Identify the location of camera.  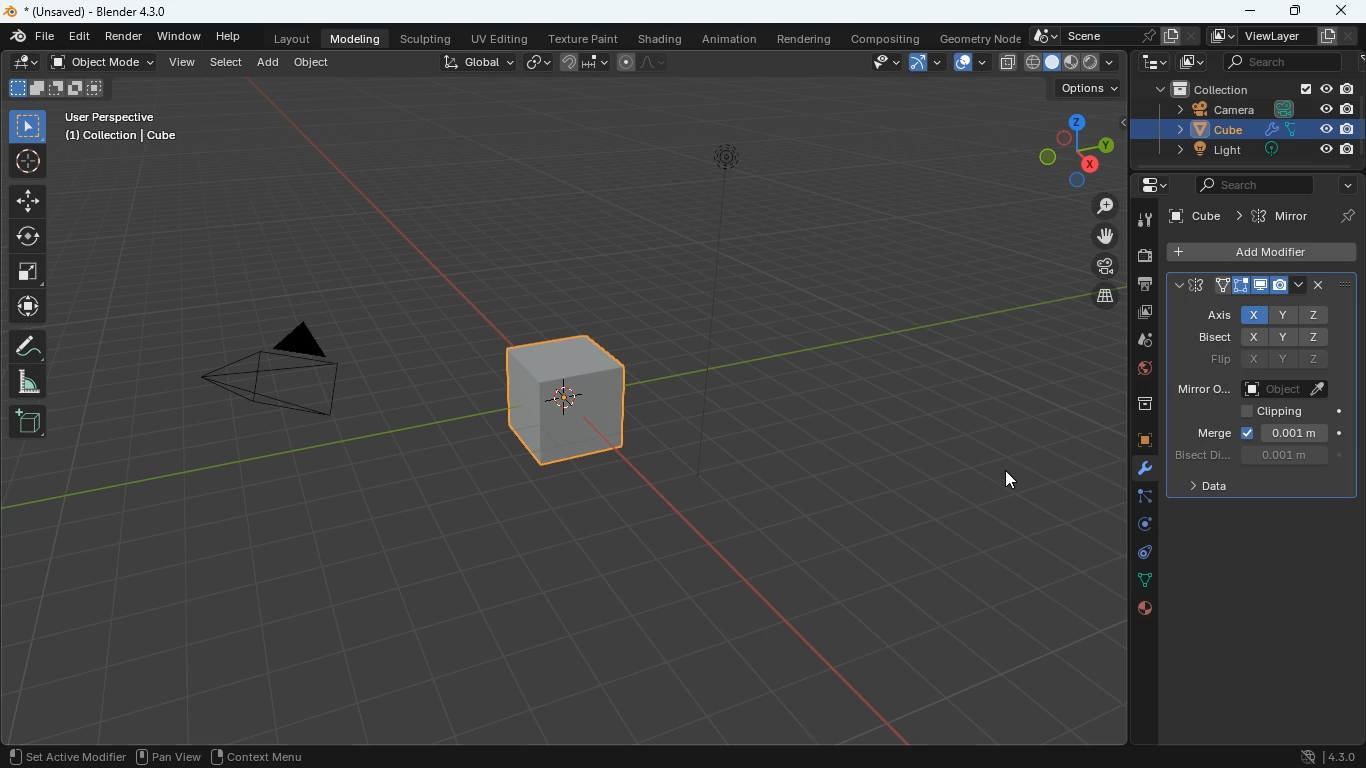
(1144, 256).